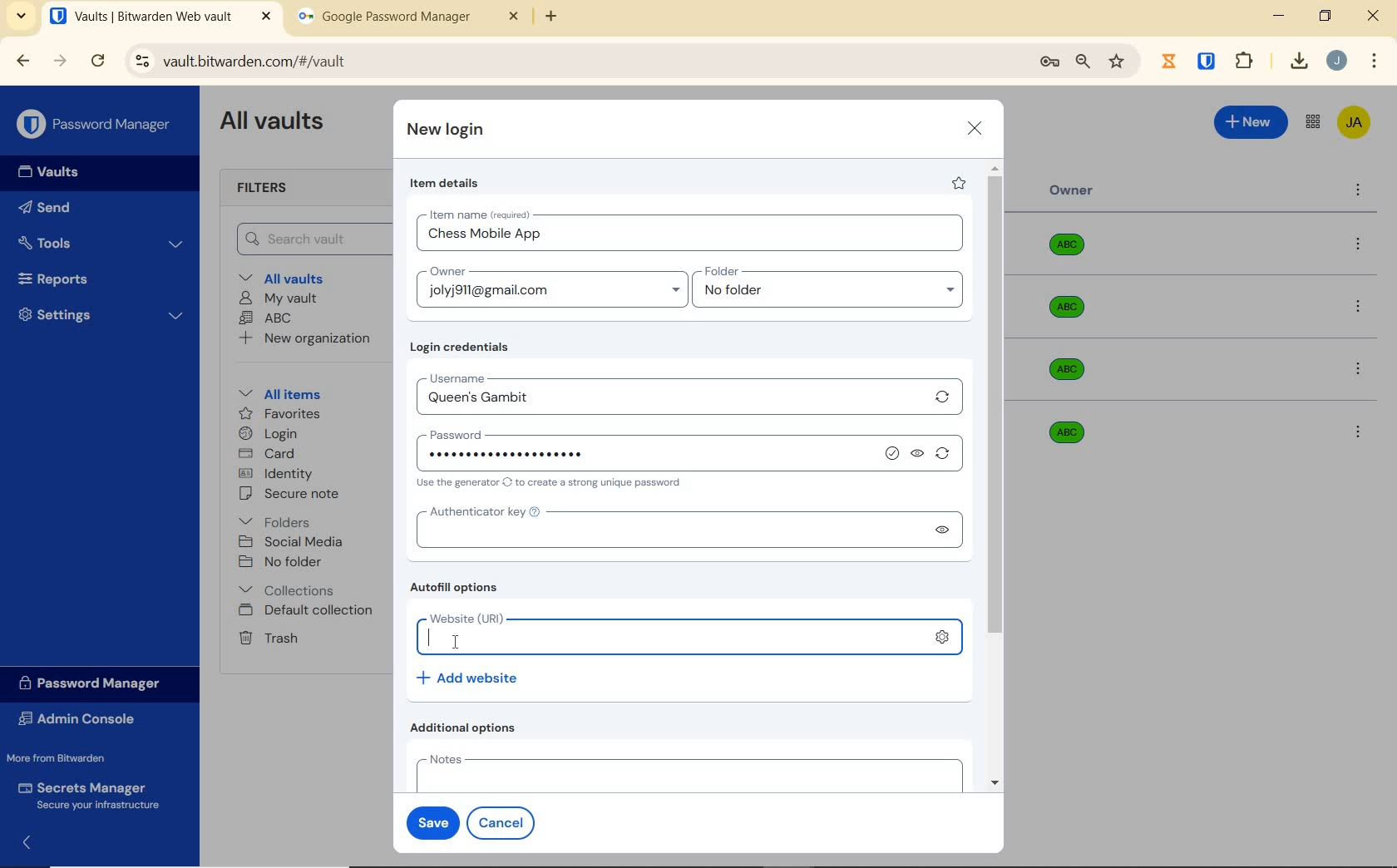  I want to click on No folder, so click(283, 563).